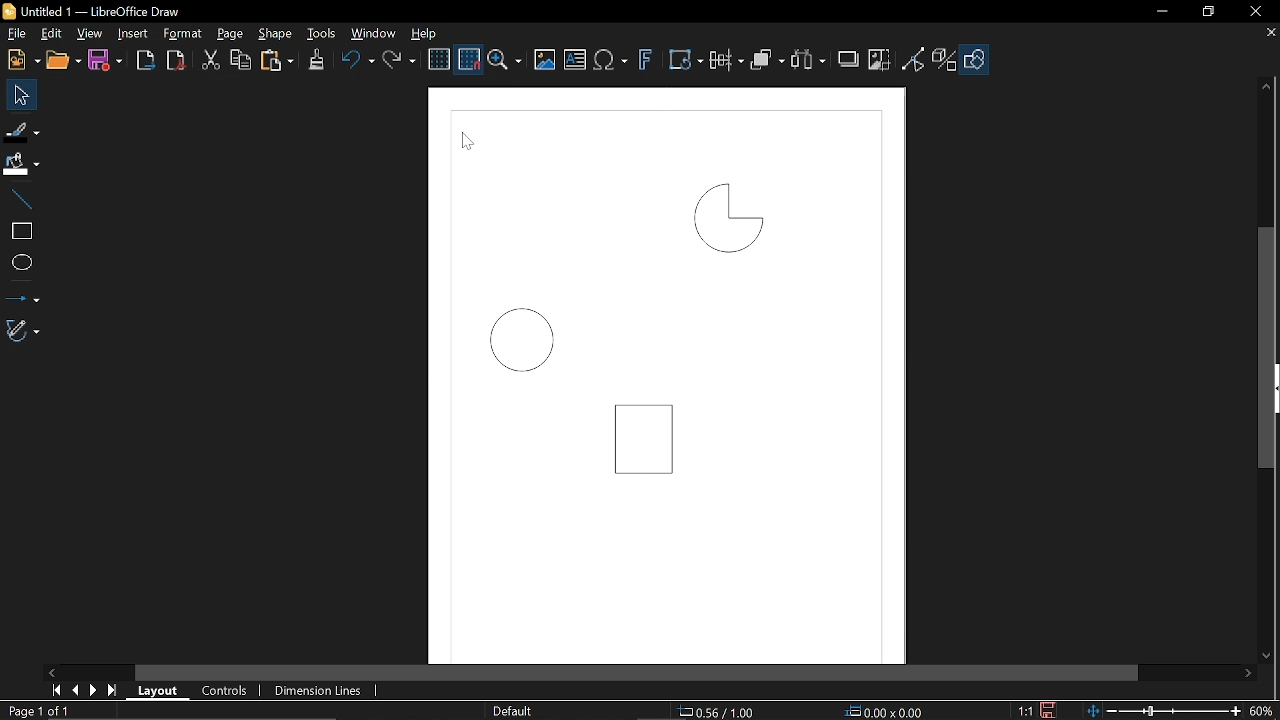  What do you see at coordinates (18, 229) in the screenshot?
I see `Rectangle` at bounding box center [18, 229].